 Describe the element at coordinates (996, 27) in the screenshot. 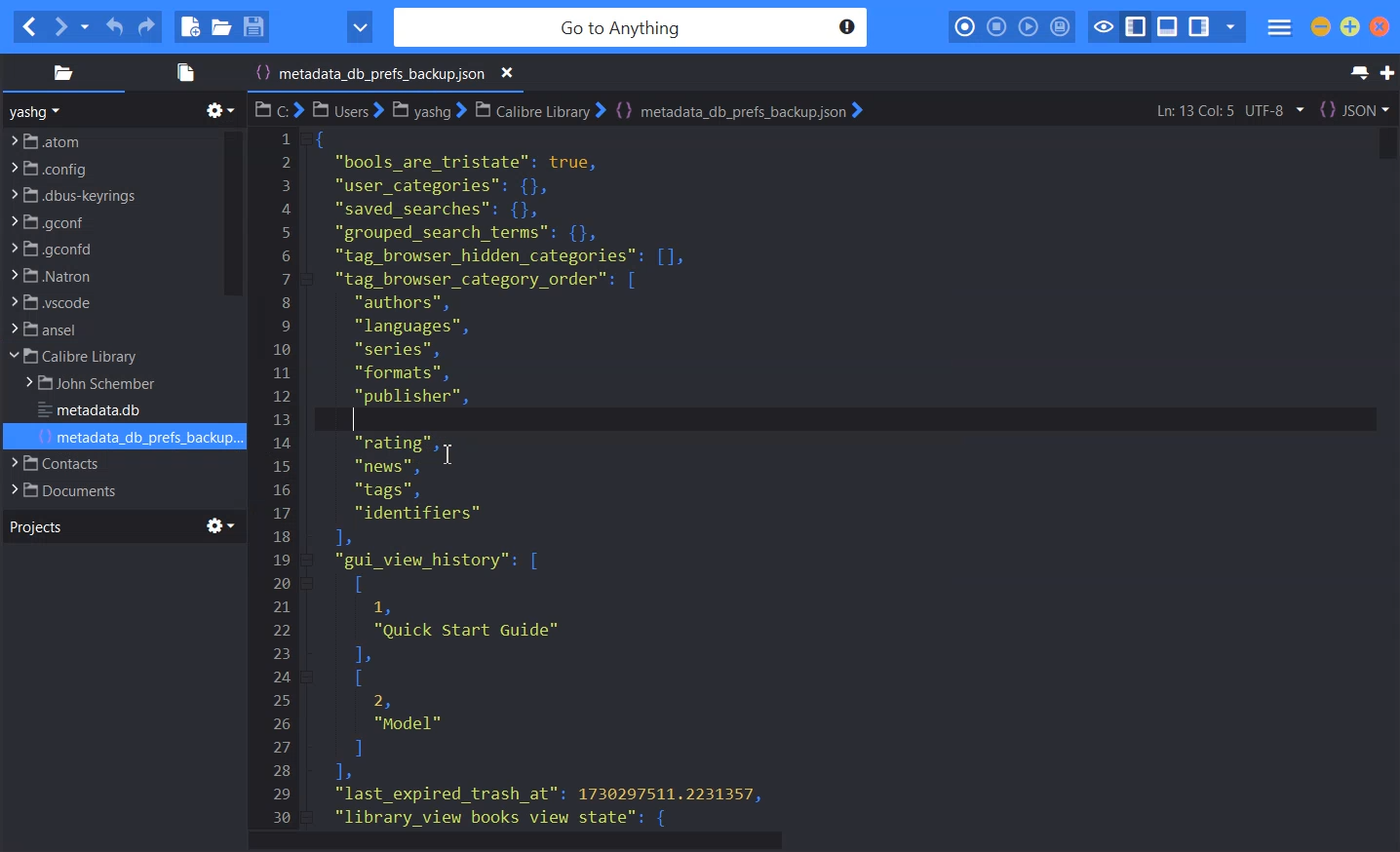

I see `Stop recording macro` at that location.